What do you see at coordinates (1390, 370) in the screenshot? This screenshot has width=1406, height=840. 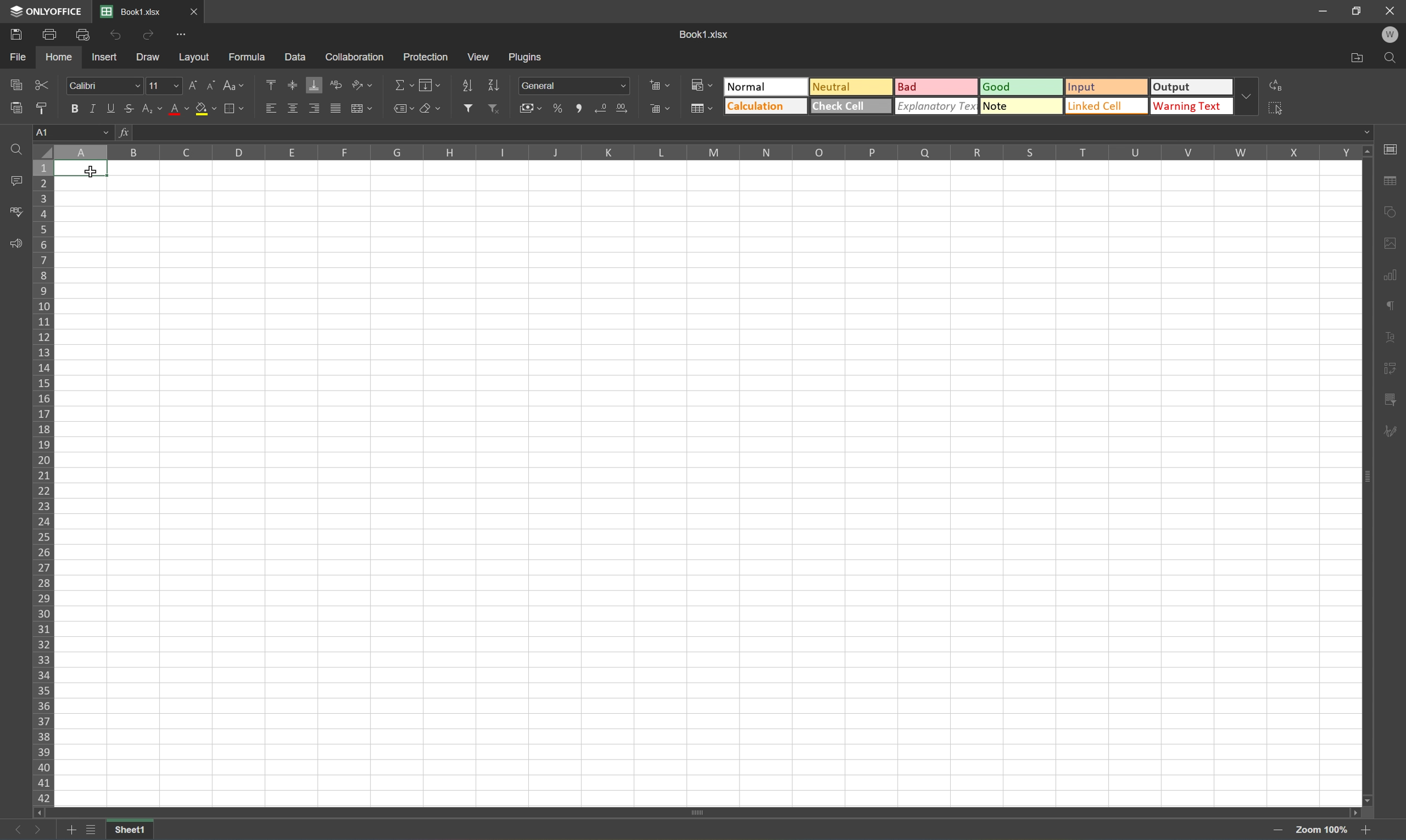 I see `Slicer settings` at bounding box center [1390, 370].